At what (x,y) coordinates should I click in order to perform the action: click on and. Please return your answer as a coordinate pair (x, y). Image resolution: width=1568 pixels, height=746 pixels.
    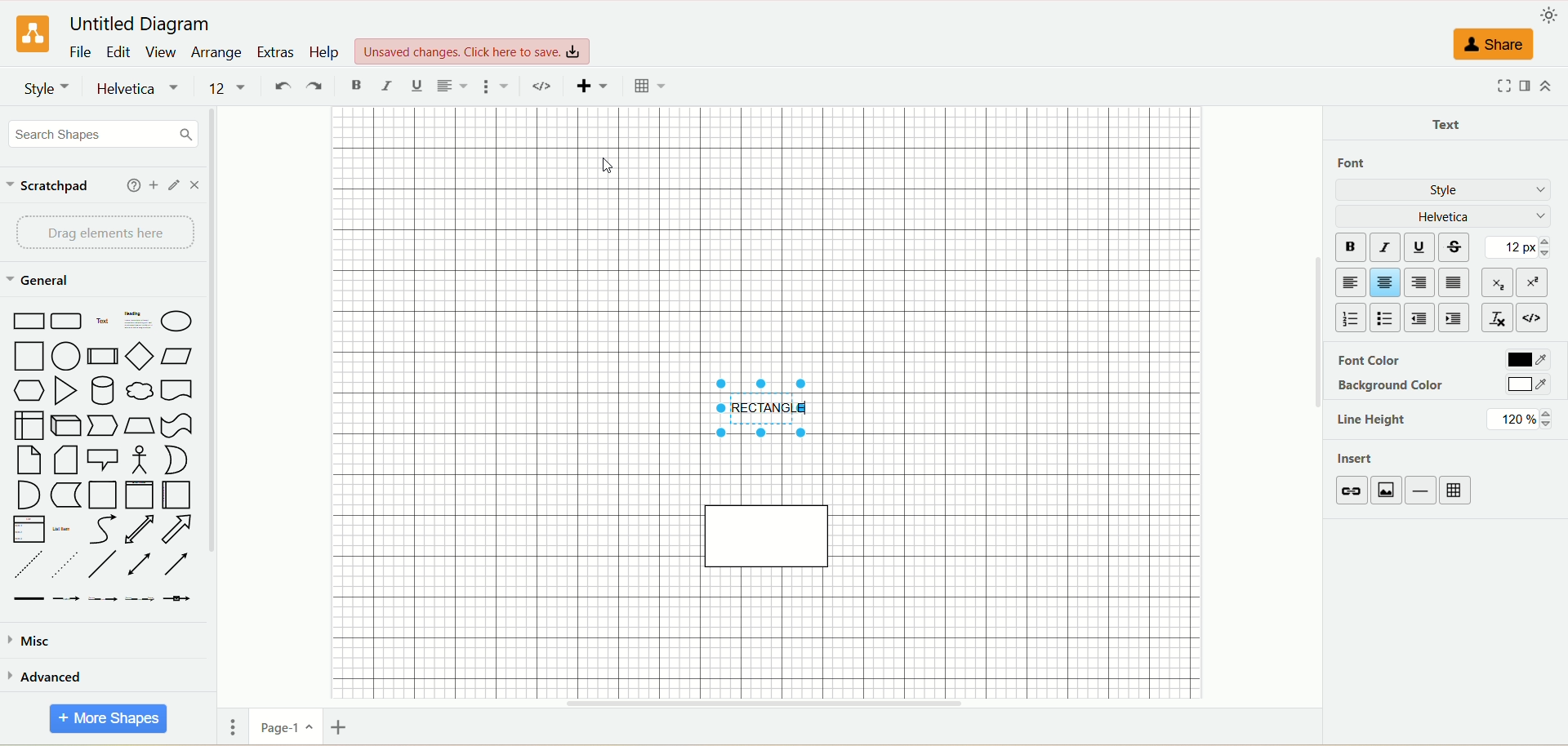
    Looking at the image, I should click on (26, 496).